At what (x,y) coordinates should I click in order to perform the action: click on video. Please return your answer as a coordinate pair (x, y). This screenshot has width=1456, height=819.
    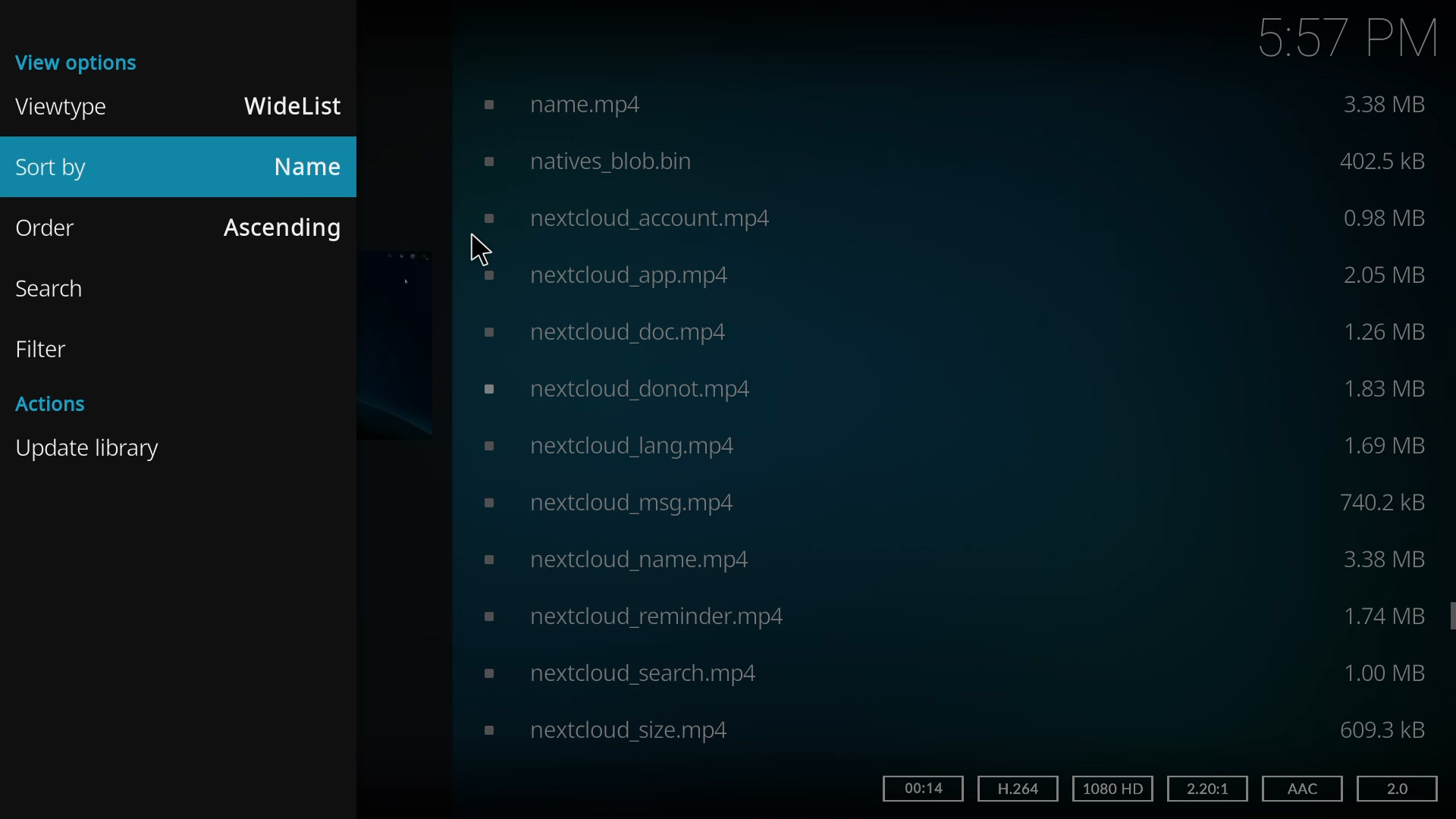
    Looking at the image, I should click on (602, 329).